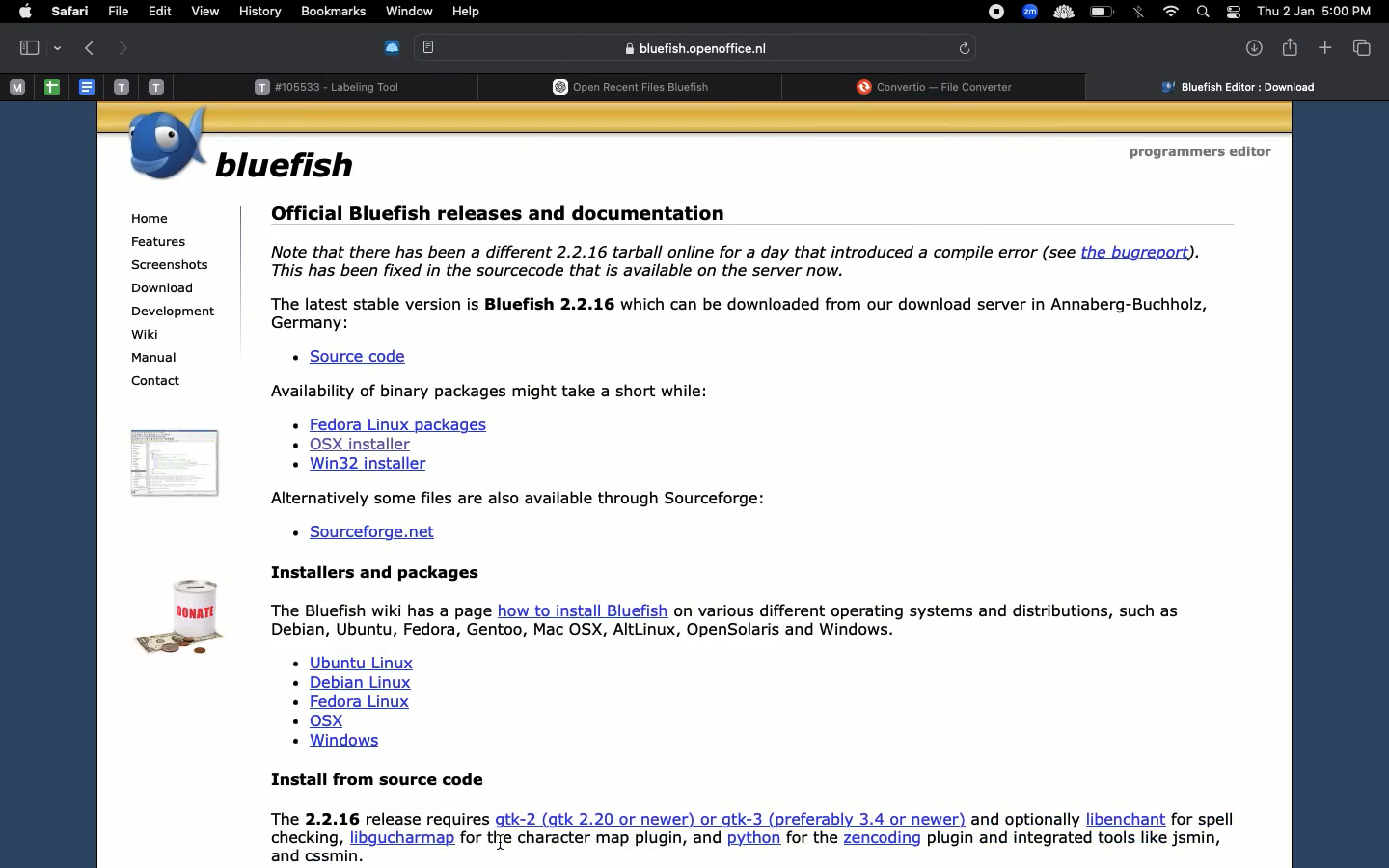 This screenshot has height=868, width=1389. Describe the element at coordinates (449, 11) in the screenshot. I see `tools` at that location.